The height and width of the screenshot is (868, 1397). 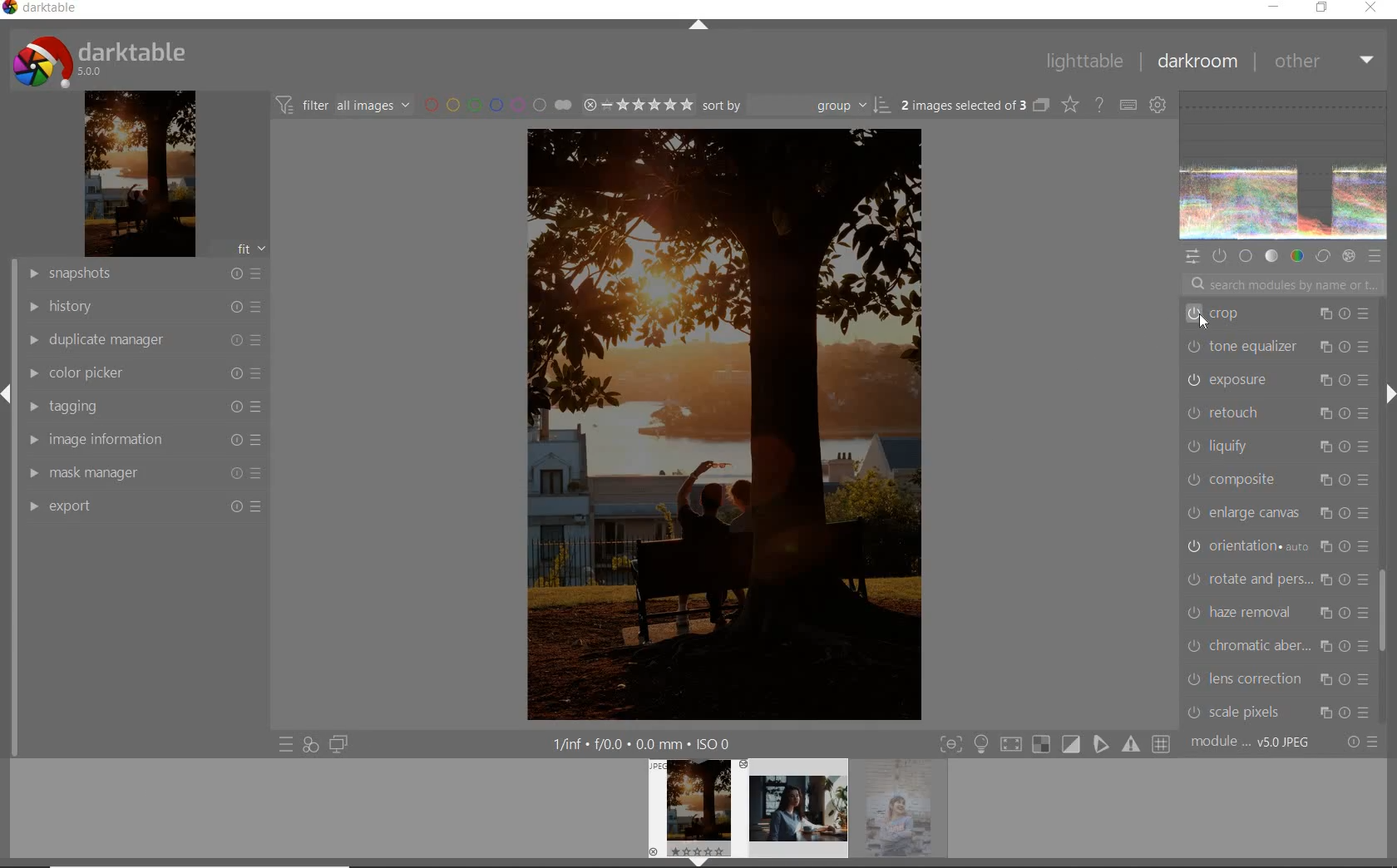 What do you see at coordinates (143, 472) in the screenshot?
I see `mask manager` at bounding box center [143, 472].